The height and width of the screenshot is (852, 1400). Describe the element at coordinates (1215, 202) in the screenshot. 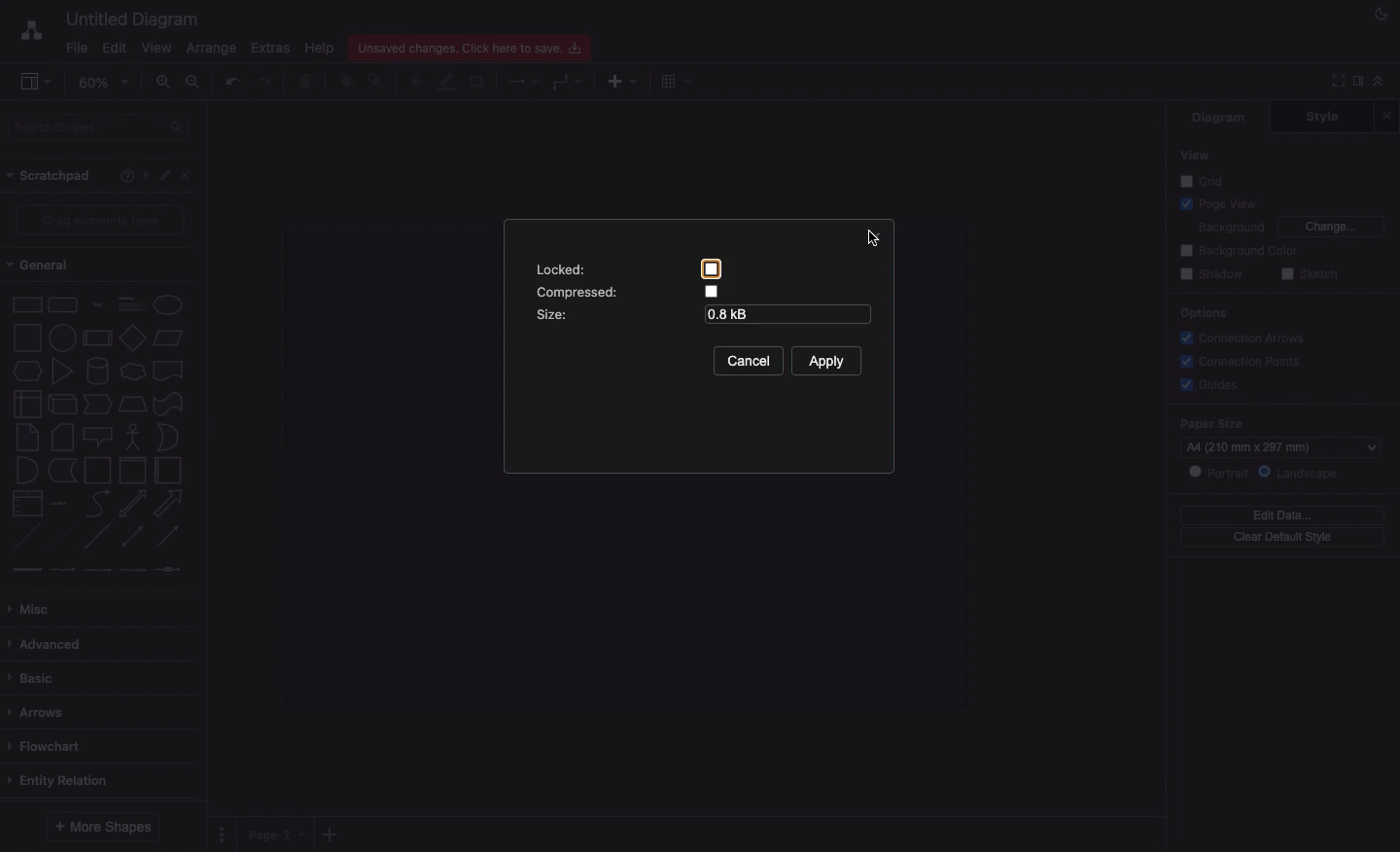

I see `Page view` at that location.